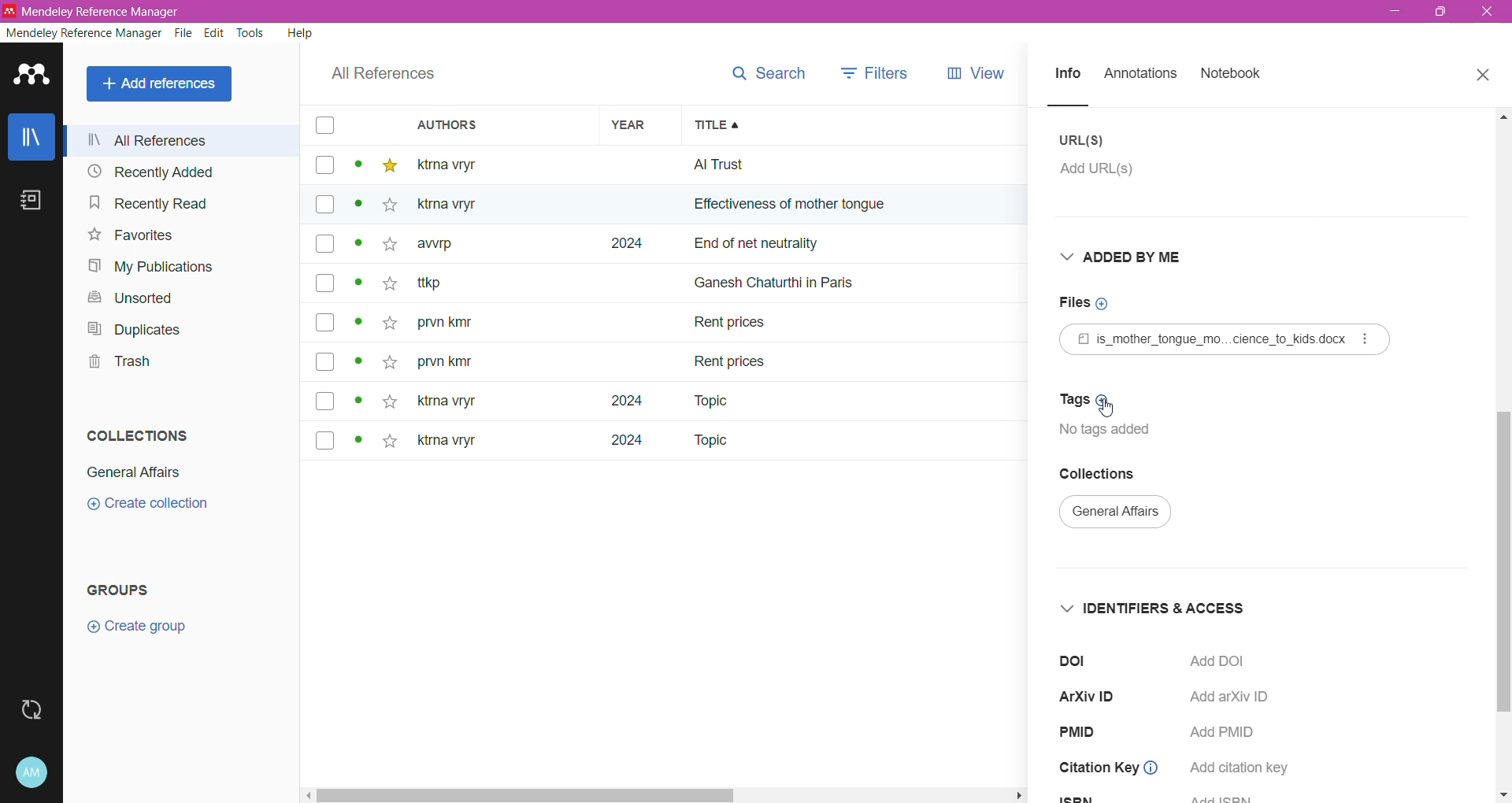 Image resolution: width=1512 pixels, height=803 pixels. Describe the element at coordinates (325, 246) in the screenshot. I see `box` at that location.